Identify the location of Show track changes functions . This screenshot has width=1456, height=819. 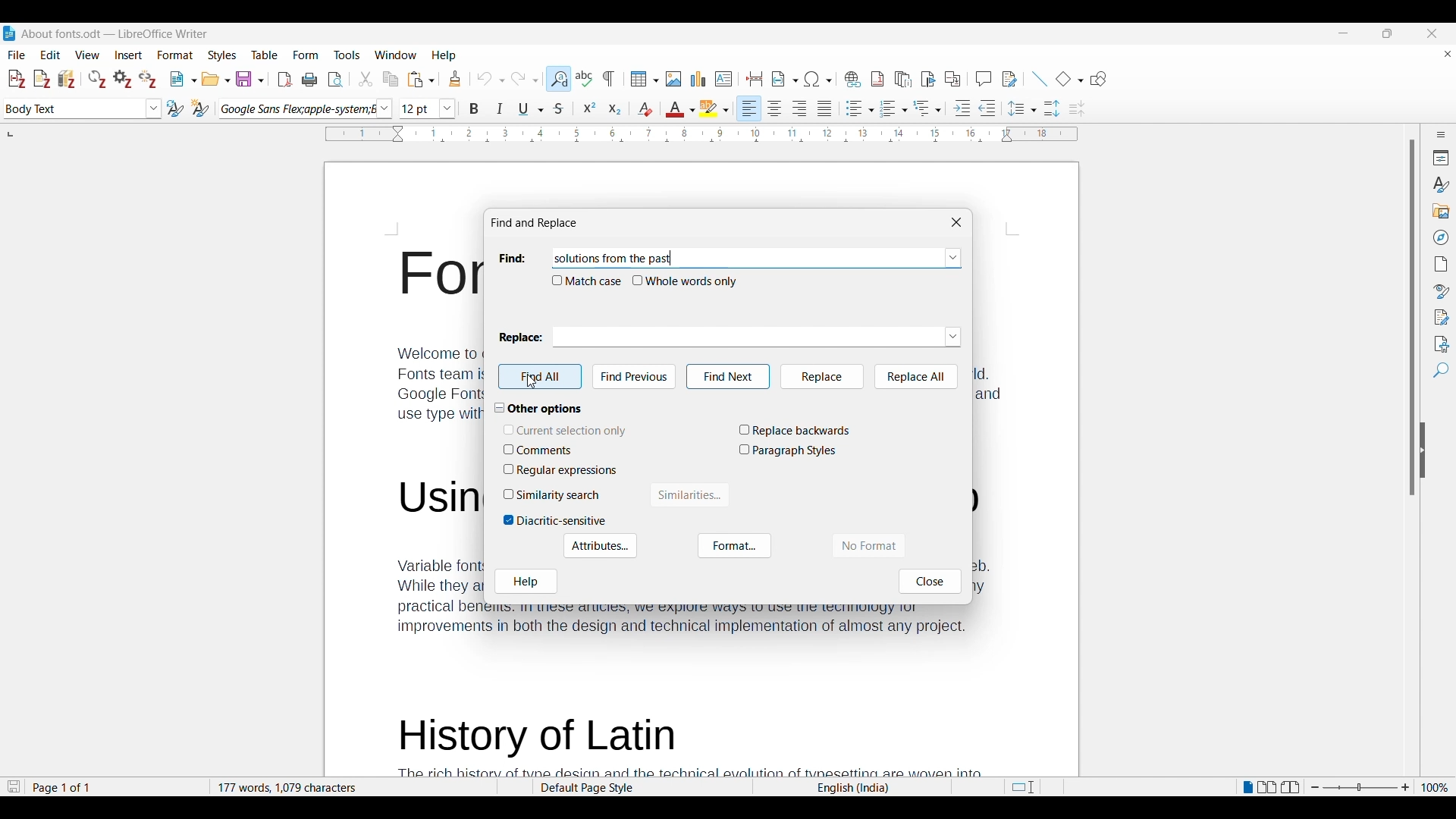
(1009, 79).